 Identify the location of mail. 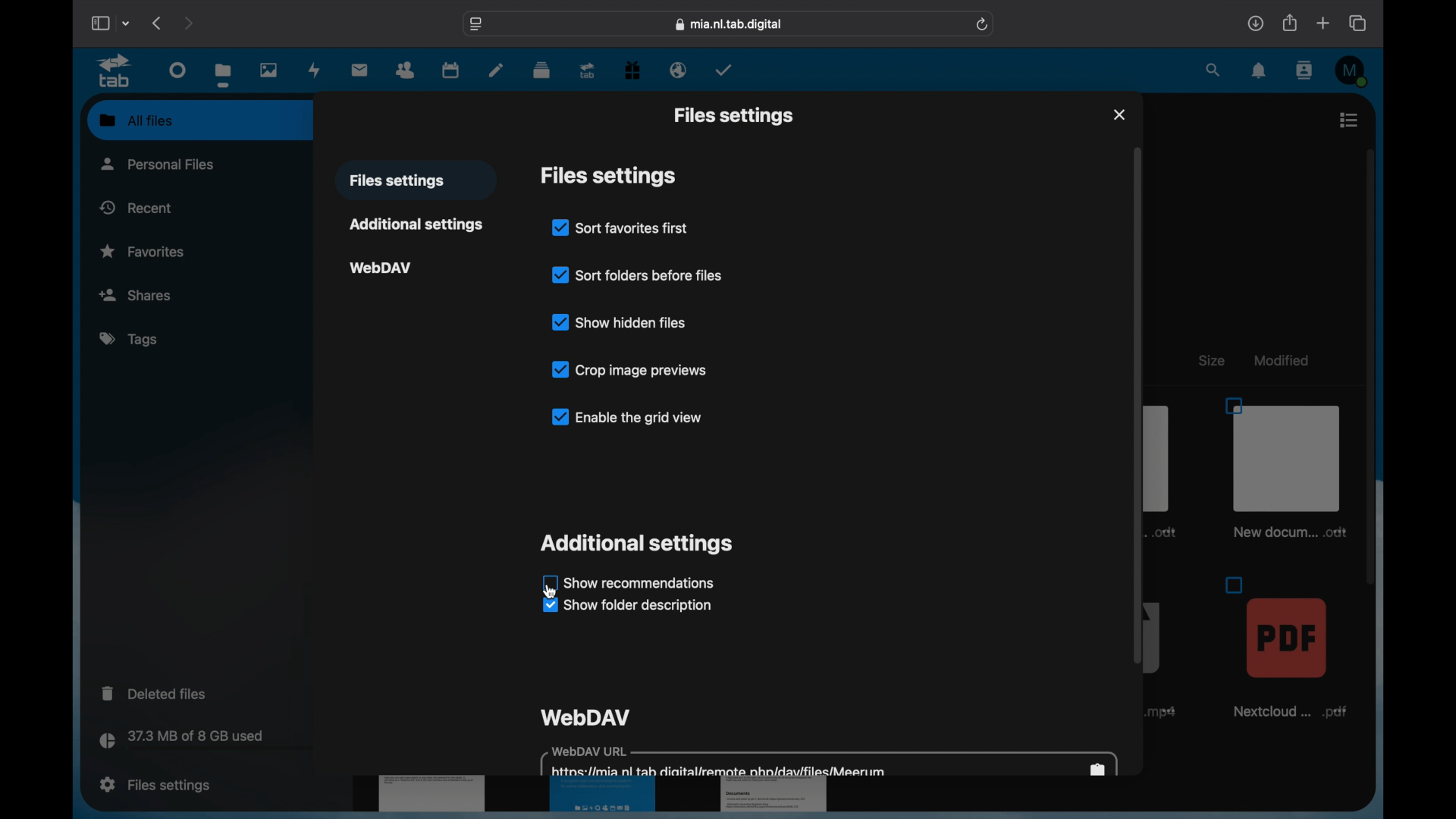
(360, 70).